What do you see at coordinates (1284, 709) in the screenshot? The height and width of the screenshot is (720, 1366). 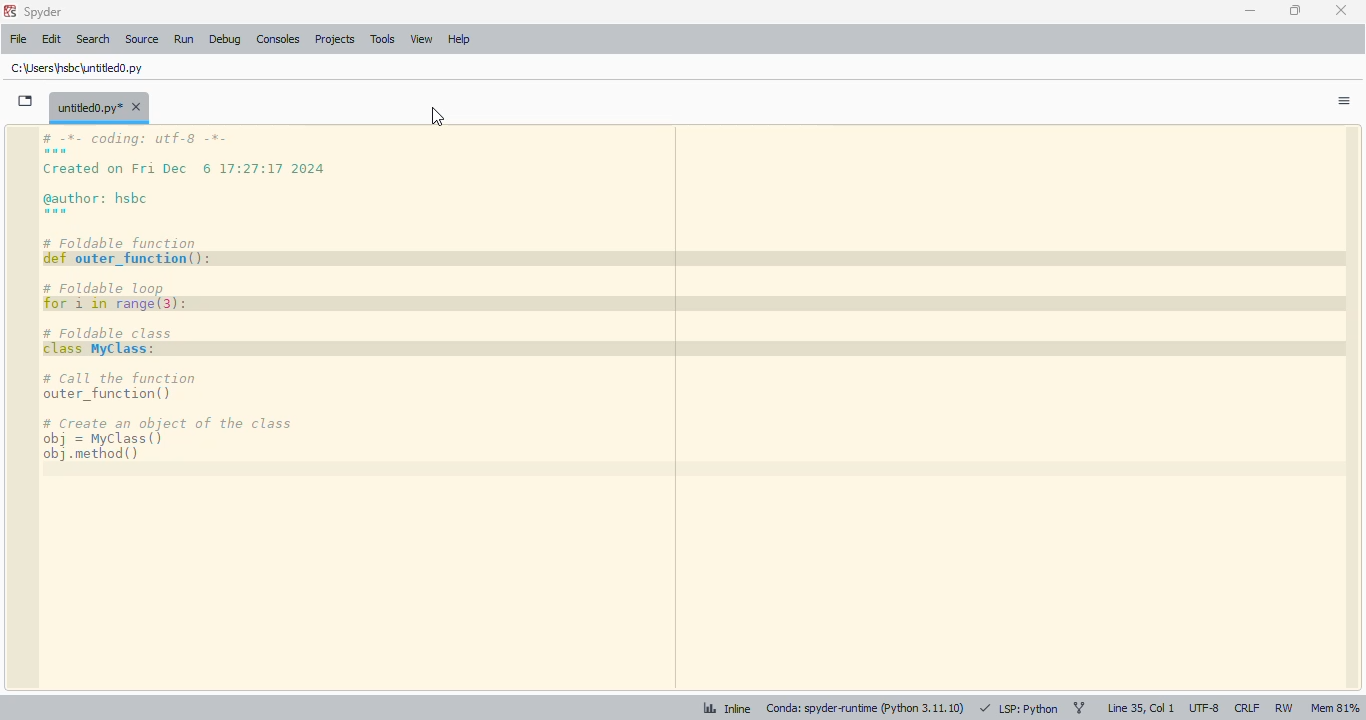 I see `RW` at bounding box center [1284, 709].